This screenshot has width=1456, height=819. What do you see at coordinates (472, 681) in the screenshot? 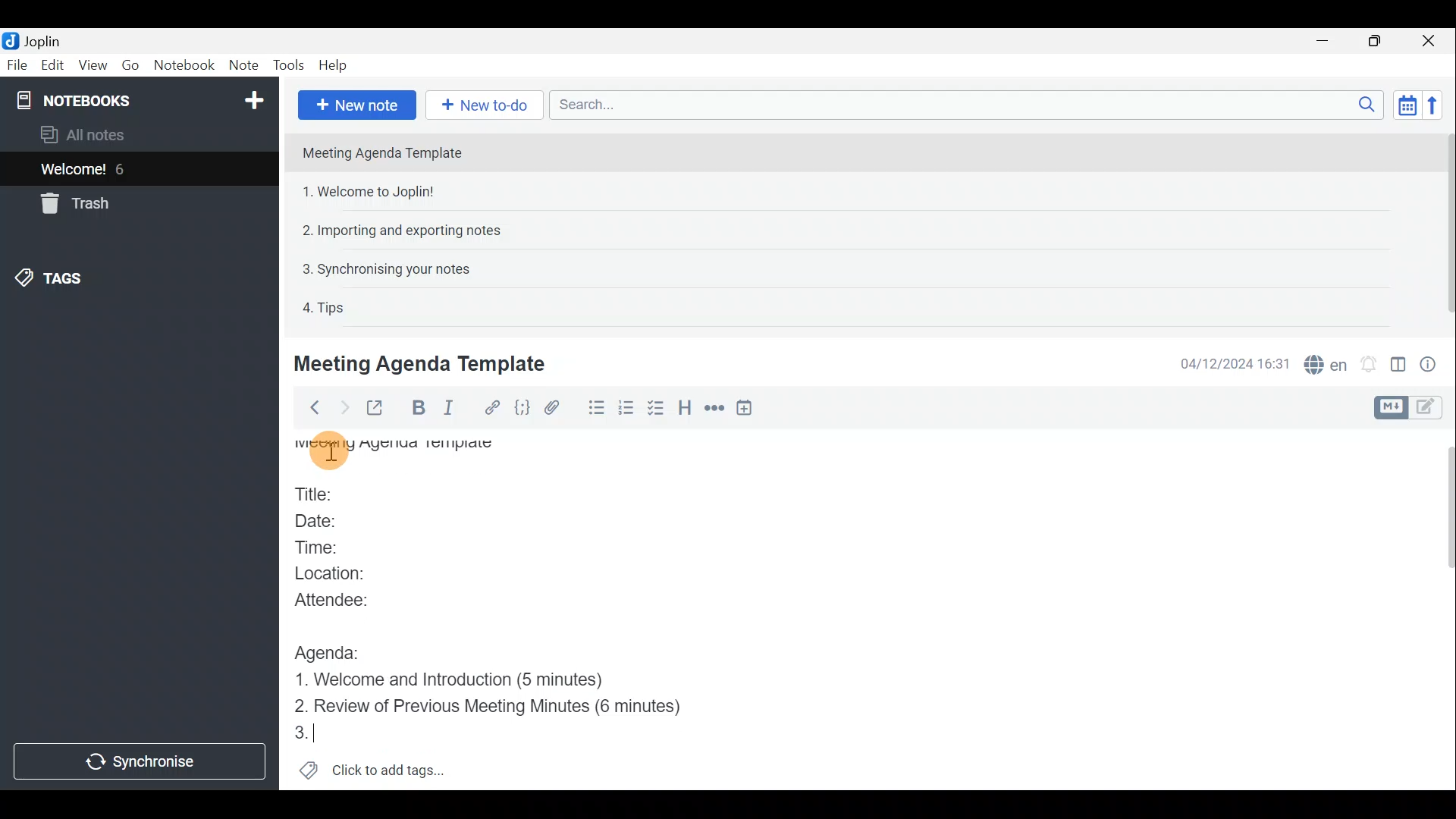
I see `1. Welcome and Introduction (5 minutes)` at bounding box center [472, 681].